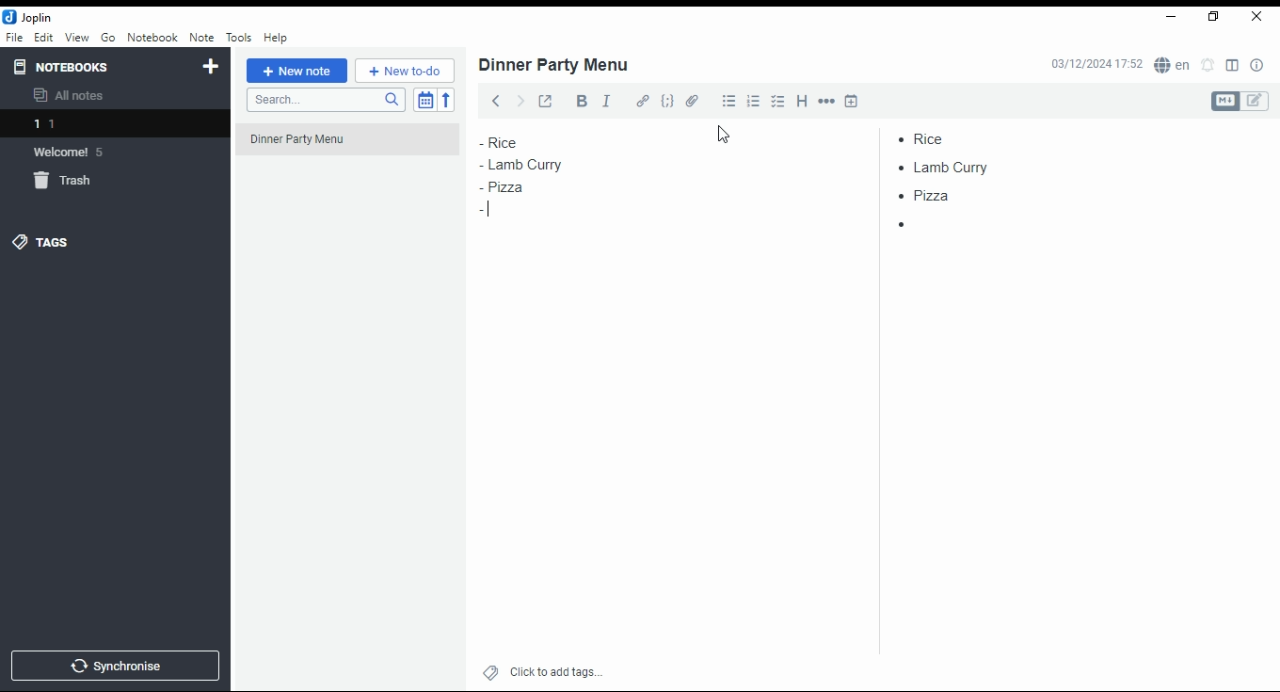 This screenshot has height=692, width=1280. What do you see at coordinates (276, 38) in the screenshot?
I see `help` at bounding box center [276, 38].